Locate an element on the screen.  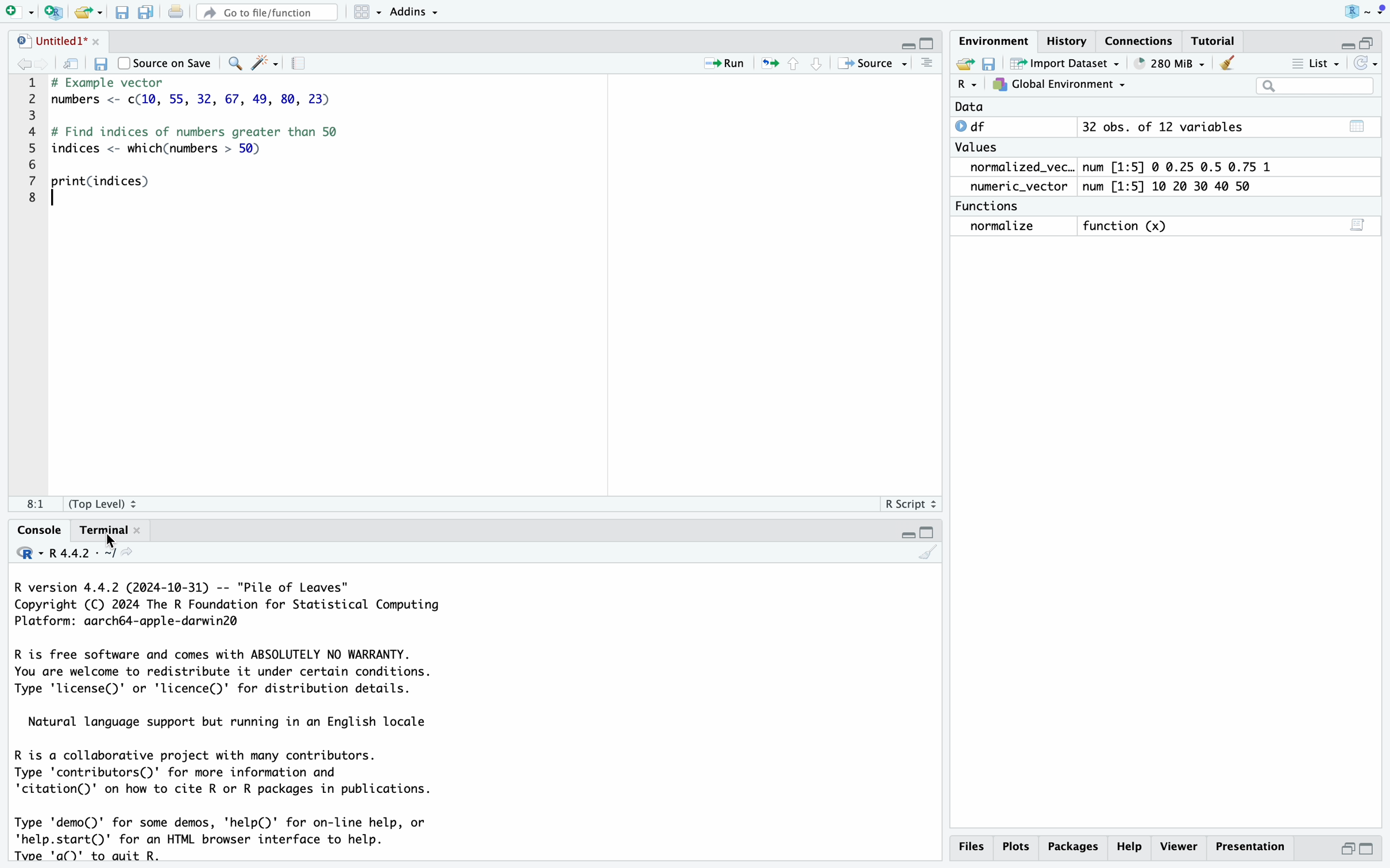
Files is located at coordinates (973, 849).